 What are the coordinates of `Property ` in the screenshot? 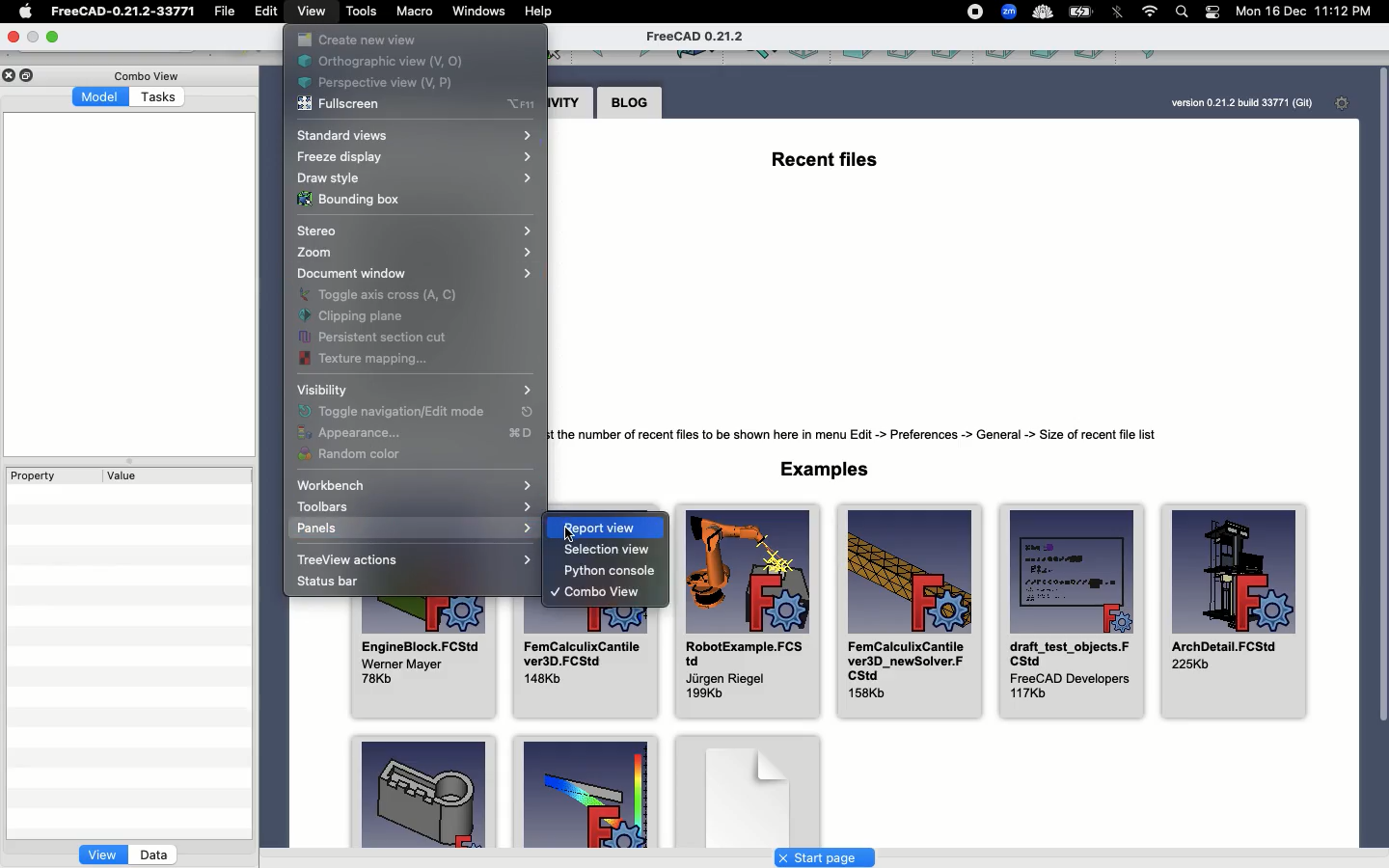 It's located at (41, 475).